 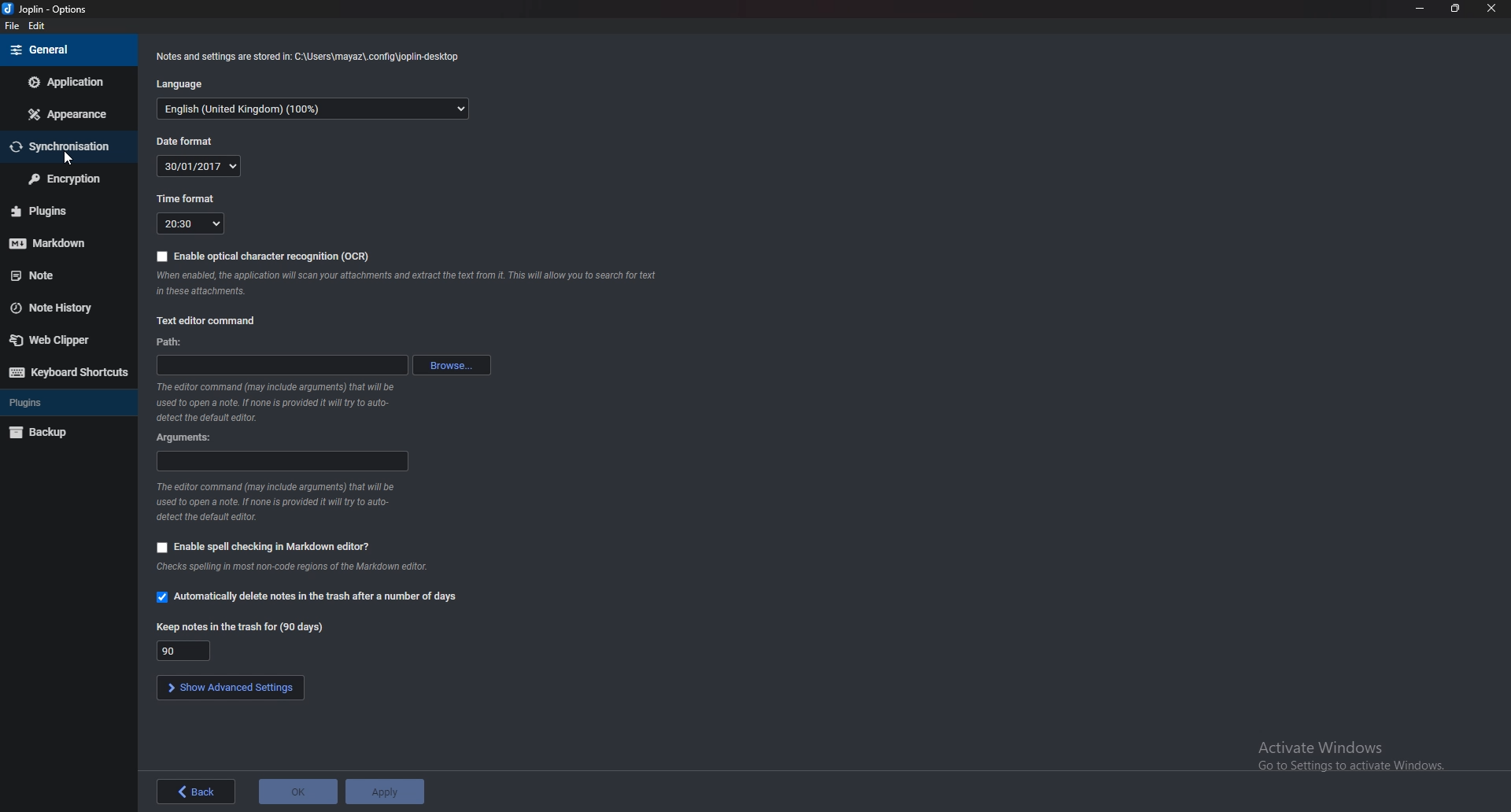 What do you see at coordinates (384, 792) in the screenshot?
I see `apply` at bounding box center [384, 792].